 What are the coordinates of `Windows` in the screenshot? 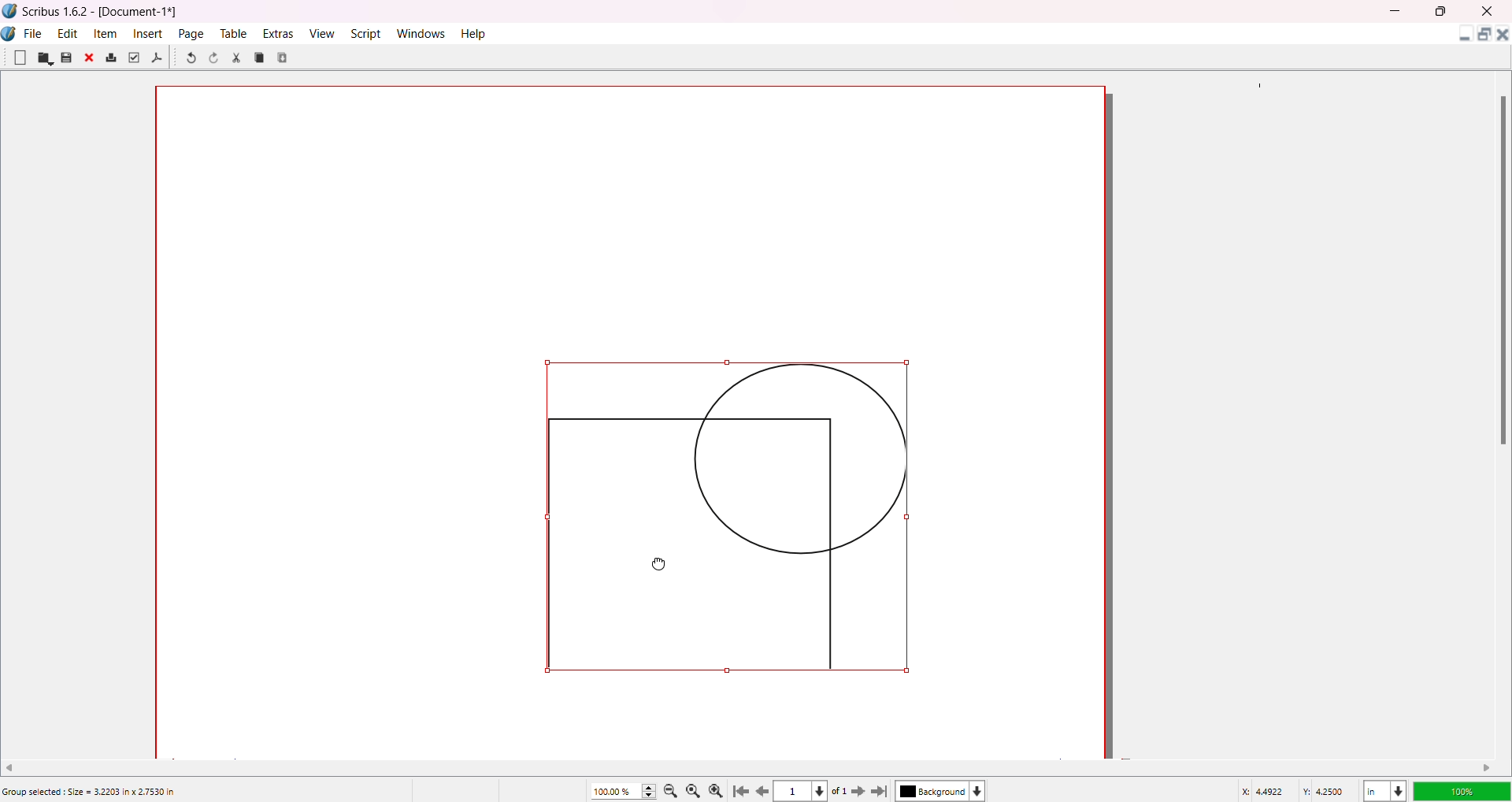 It's located at (424, 33).